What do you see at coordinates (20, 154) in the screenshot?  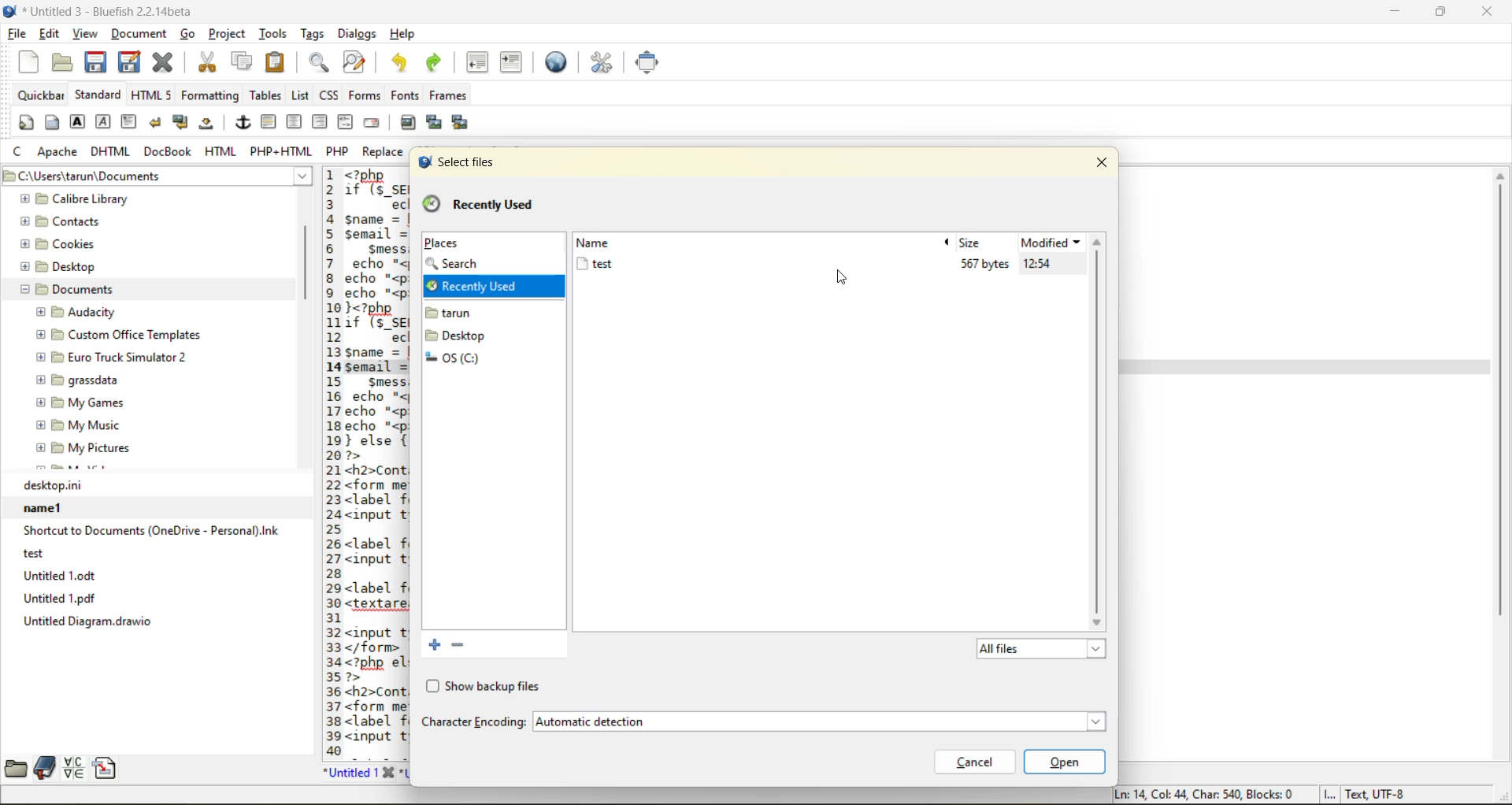 I see `c` at bounding box center [20, 154].